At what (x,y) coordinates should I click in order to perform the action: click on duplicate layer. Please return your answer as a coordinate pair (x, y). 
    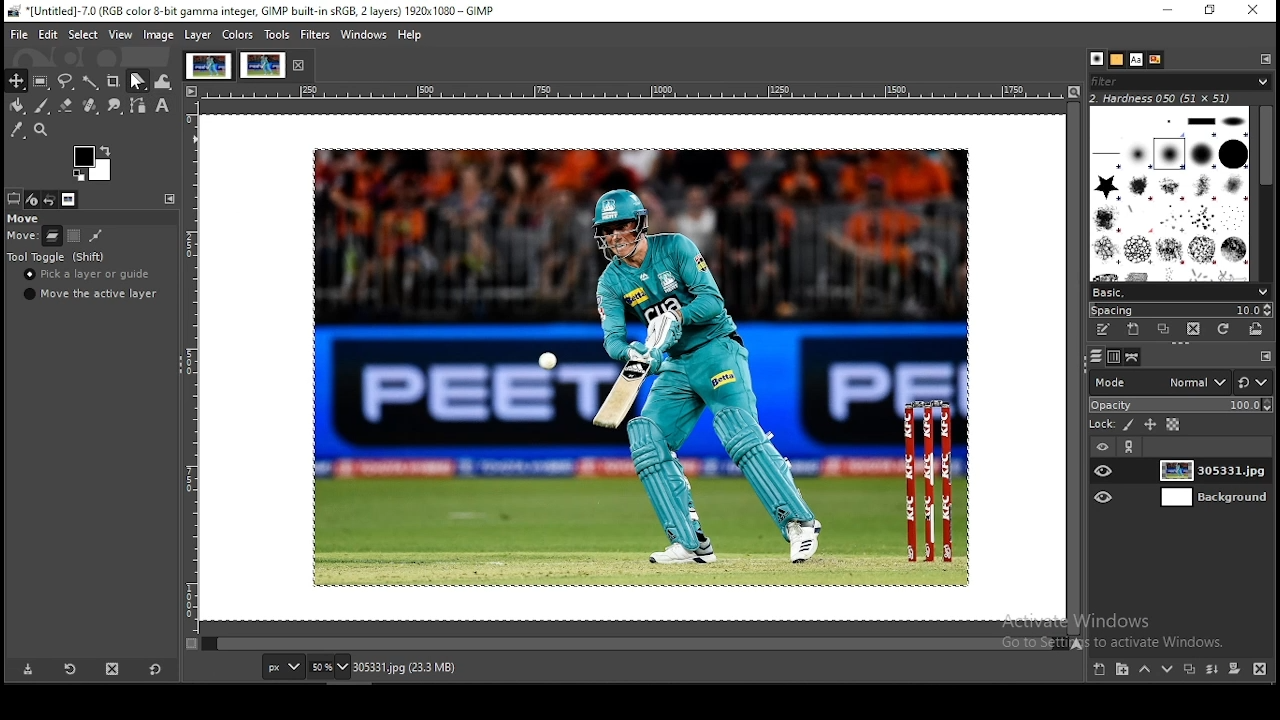
    Looking at the image, I should click on (1189, 669).